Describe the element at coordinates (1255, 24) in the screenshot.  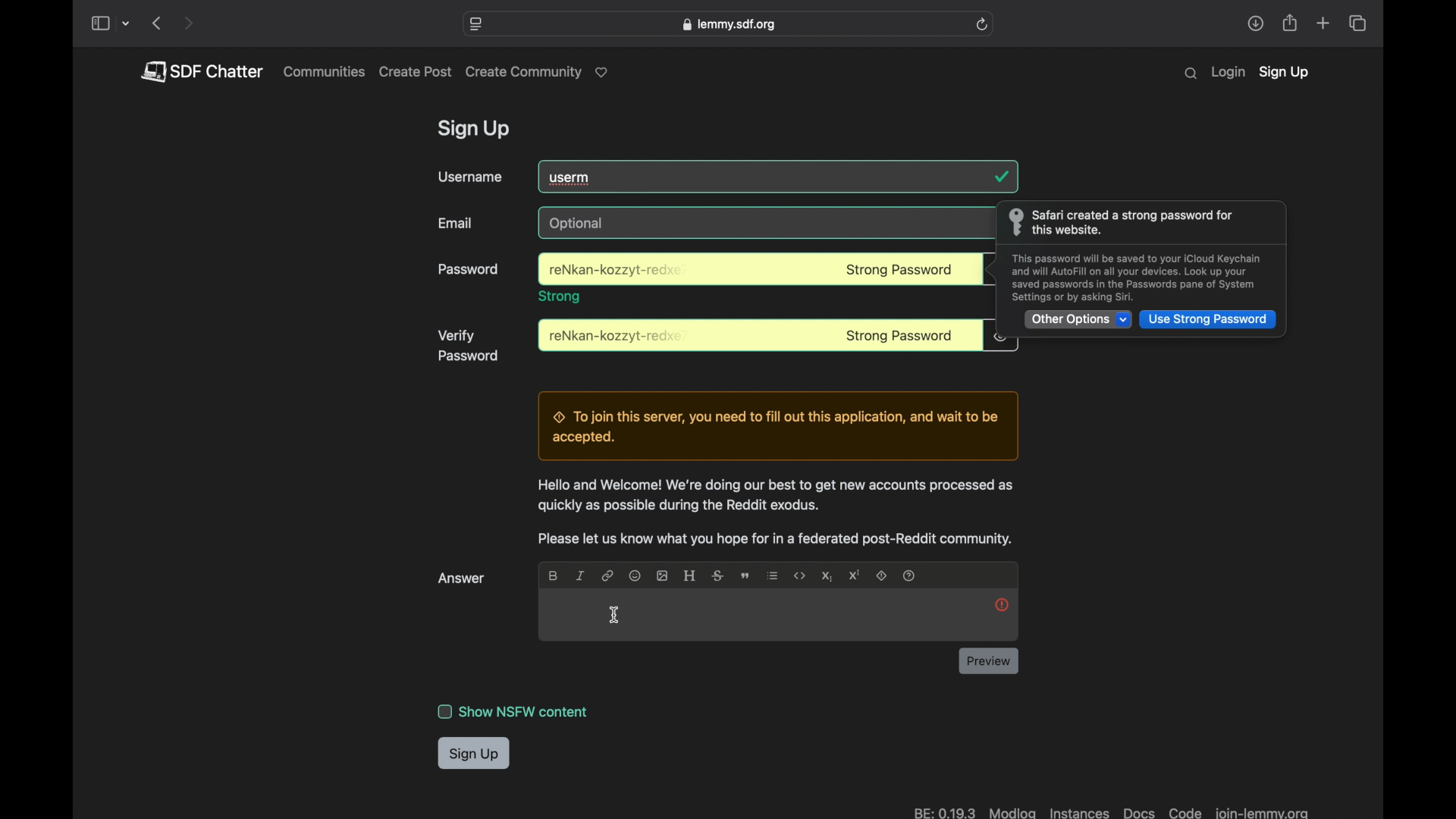
I see `share` at that location.